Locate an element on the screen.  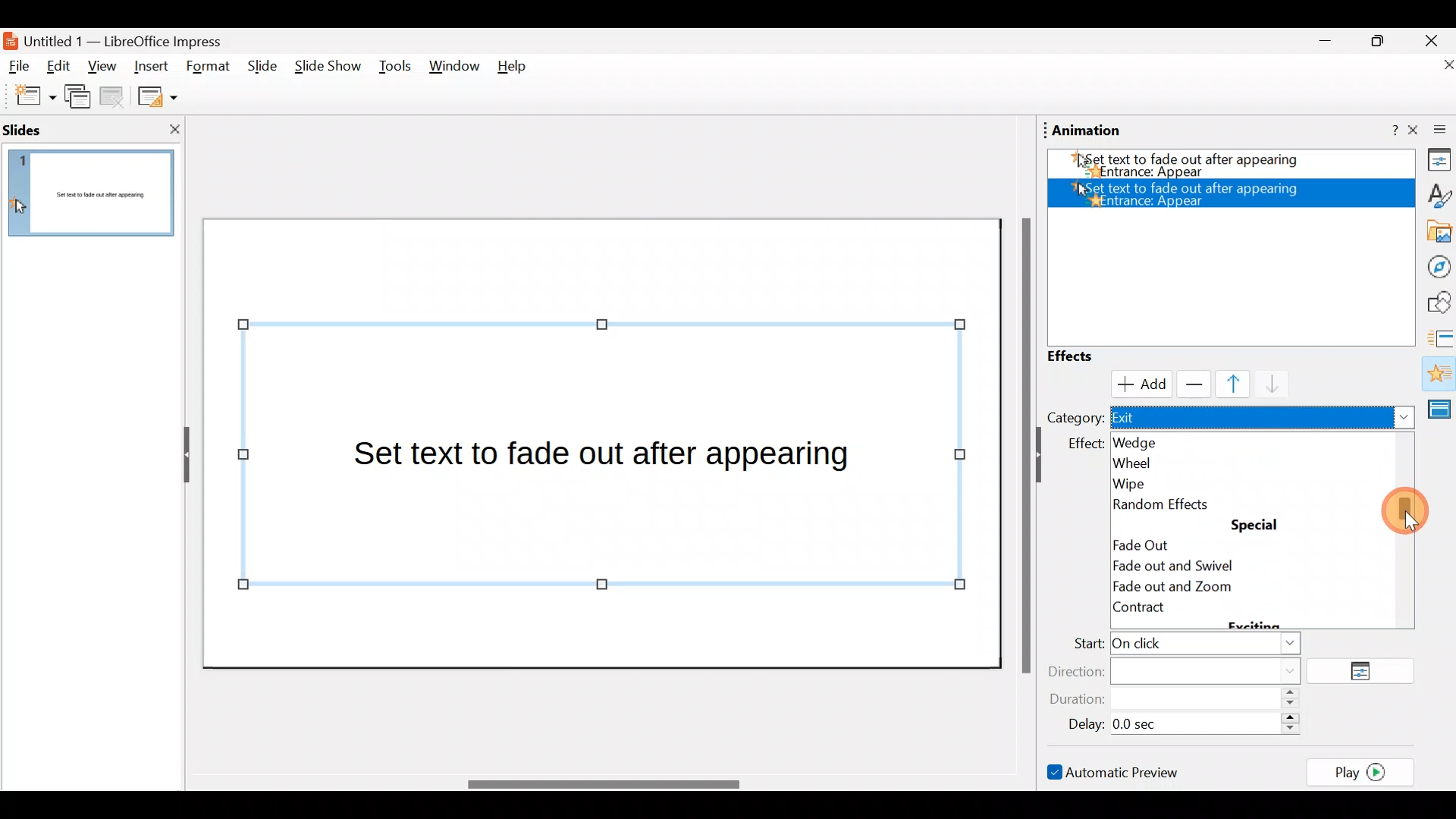
Random effects is located at coordinates (1169, 504).